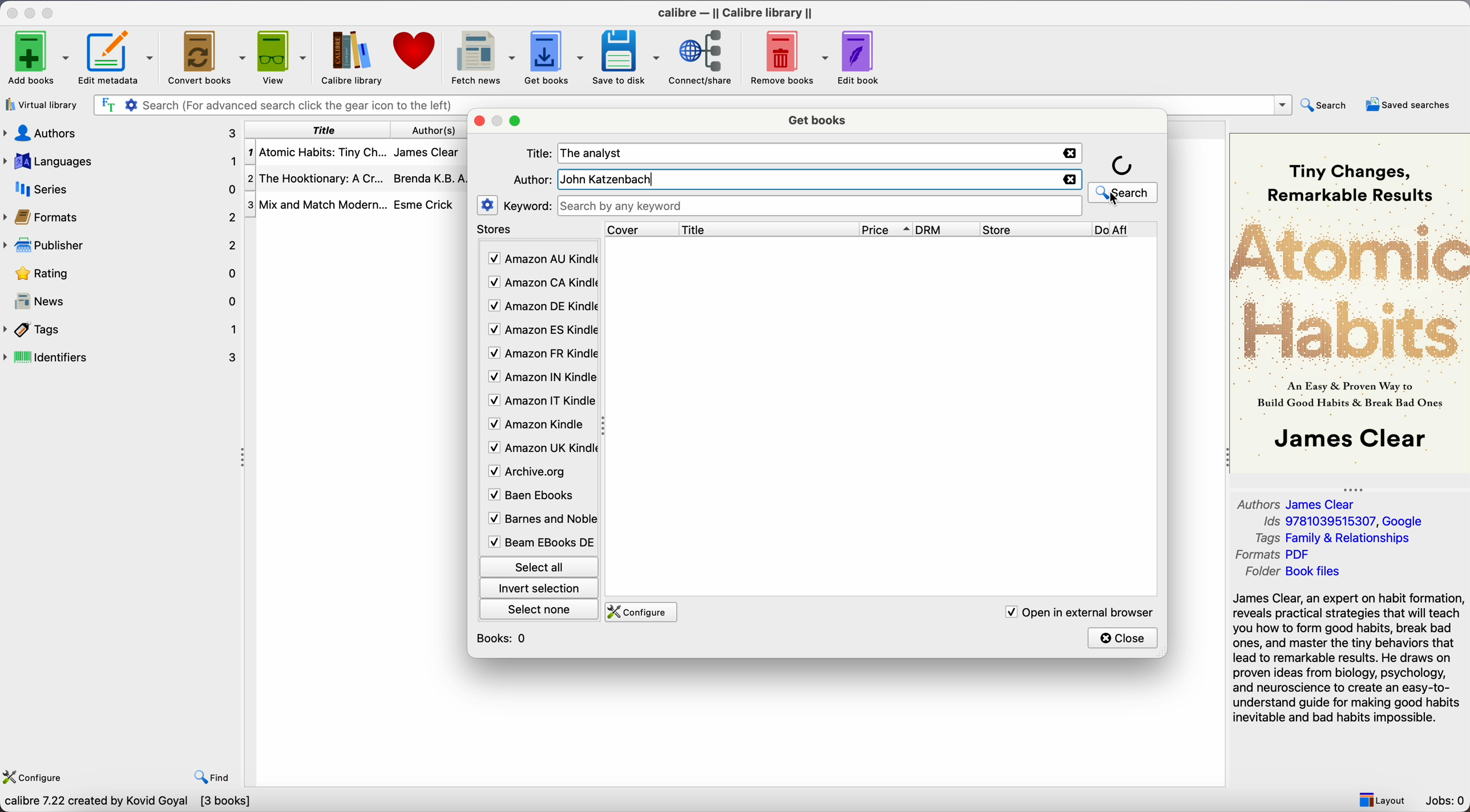  What do you see at coordinates (349, 57) in the screenshot?
I see `Calibre library` at bounding box center [349, 57].